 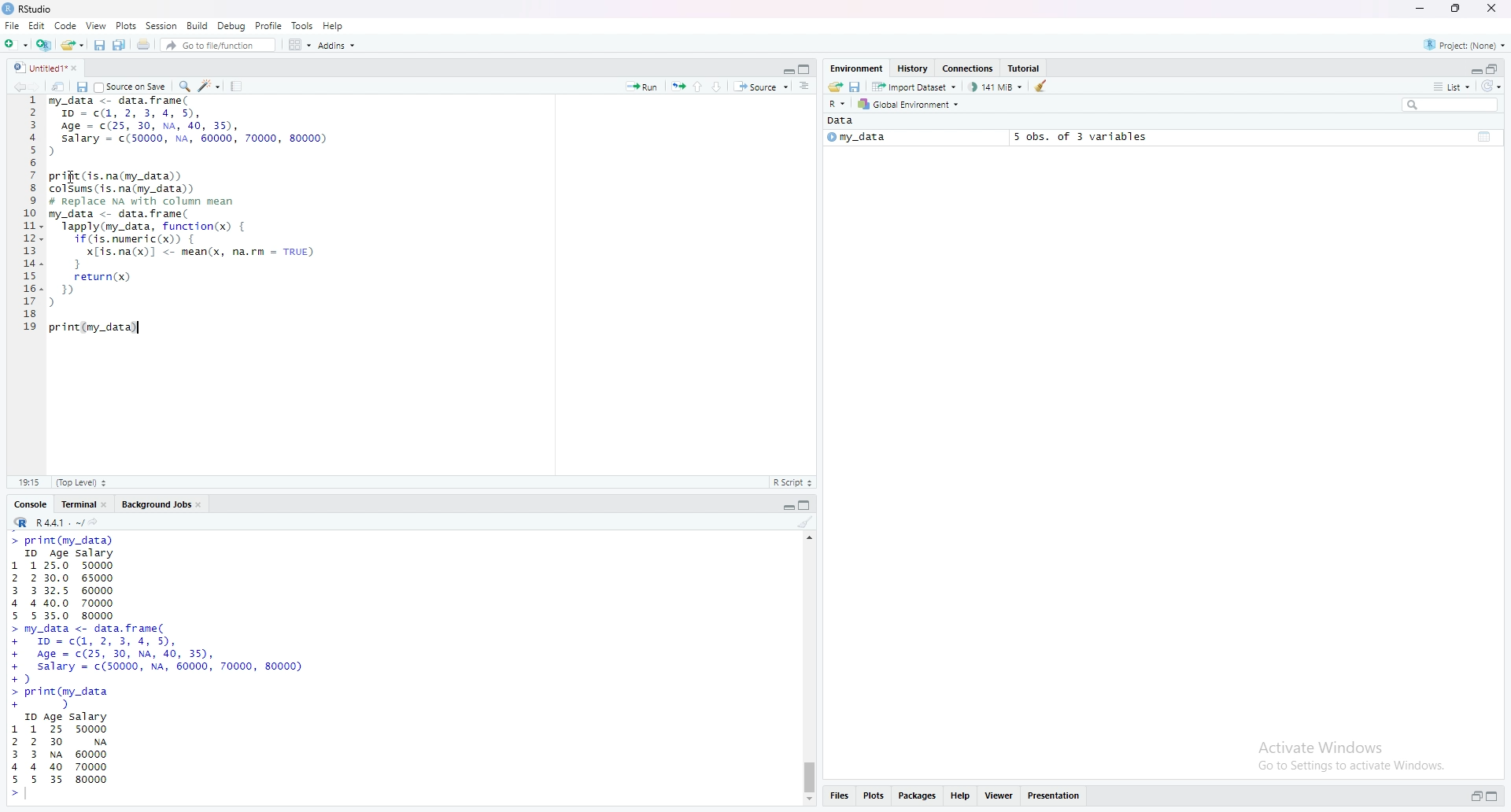 What do you see at coordinates (81, 87) in the screenshot?
I see `save current document` at bounding box center [81, 87].